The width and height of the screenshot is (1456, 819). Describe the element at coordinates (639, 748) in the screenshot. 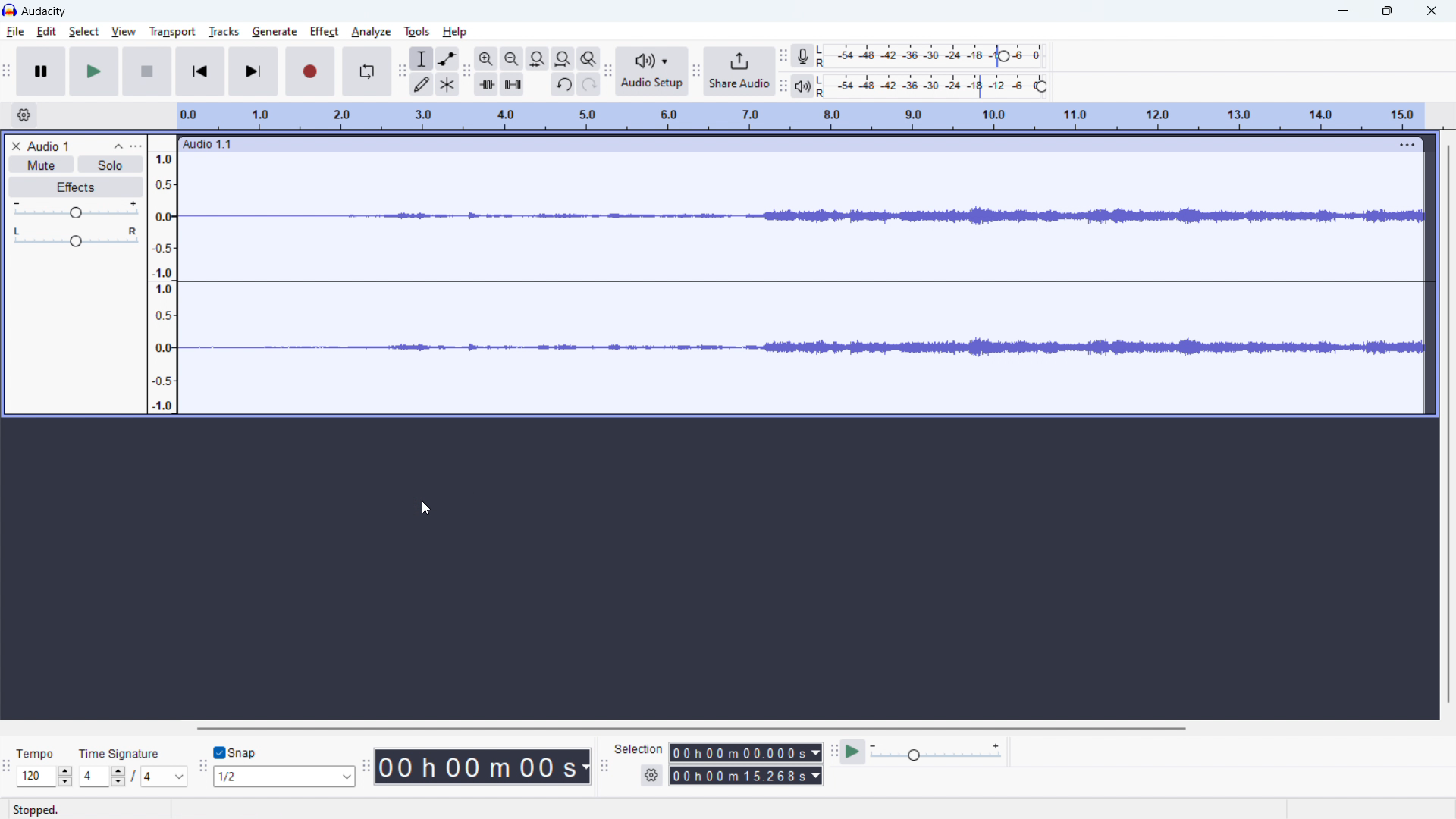

I see `Selection` at that location.